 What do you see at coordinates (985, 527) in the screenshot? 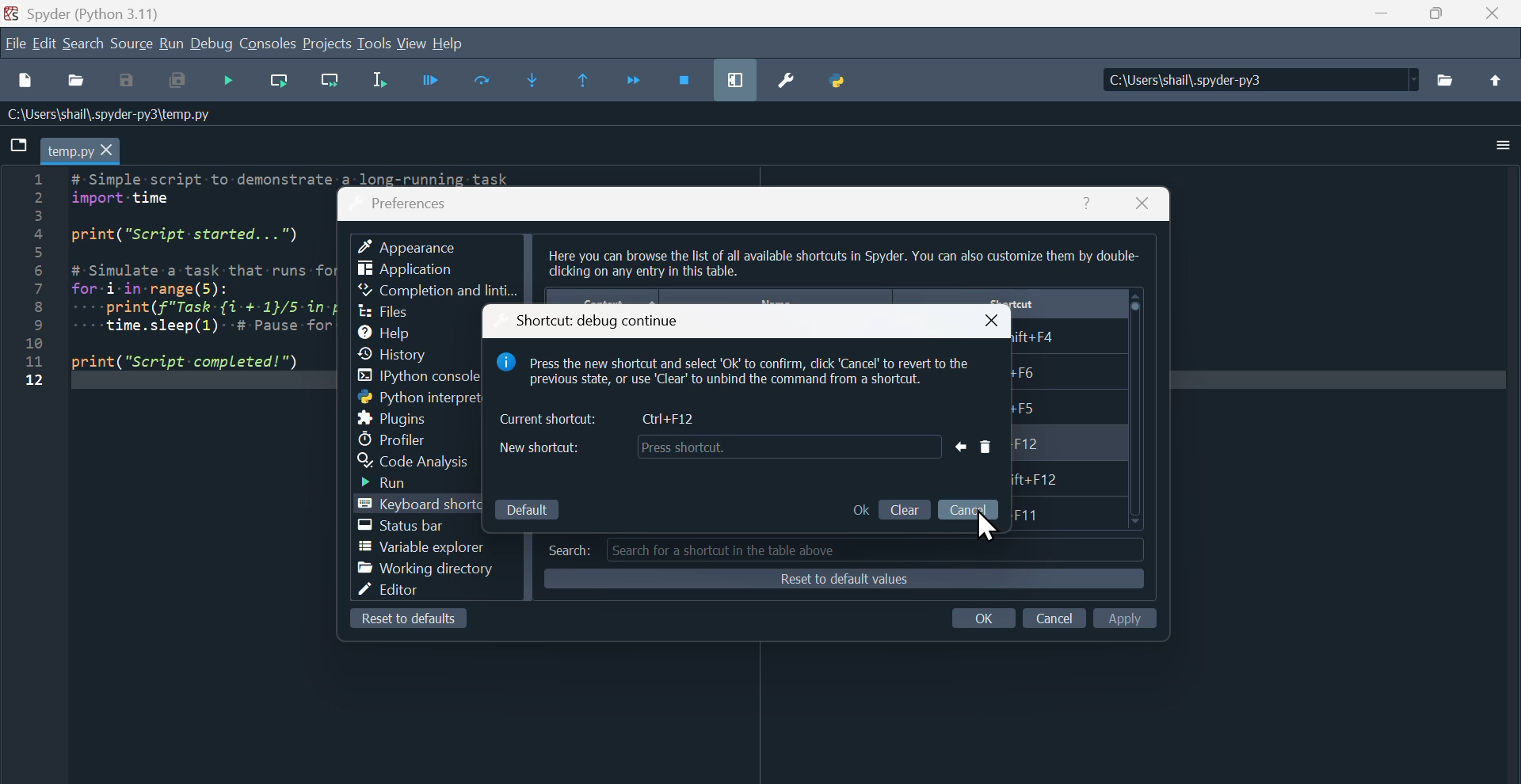
I see `Cursor` at bounding box center [985, 527].